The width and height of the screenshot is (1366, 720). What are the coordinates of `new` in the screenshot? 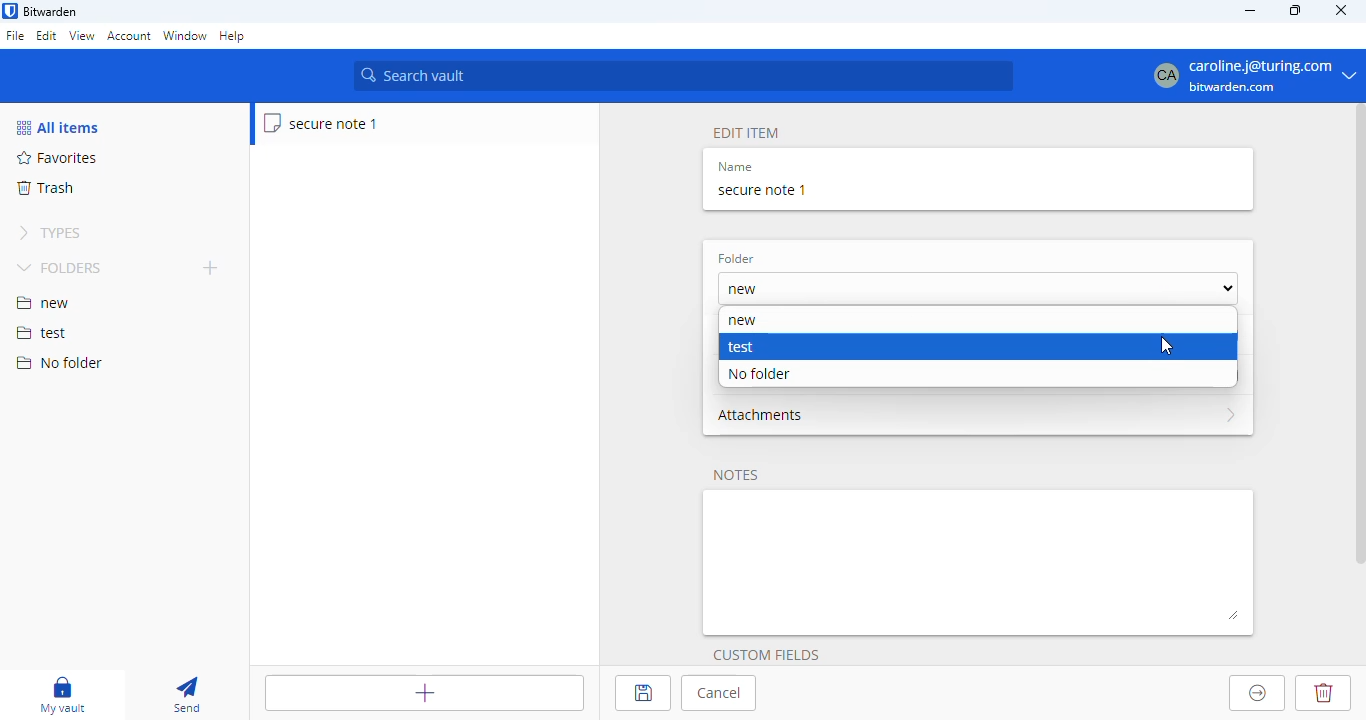 It's located at (43, 303).